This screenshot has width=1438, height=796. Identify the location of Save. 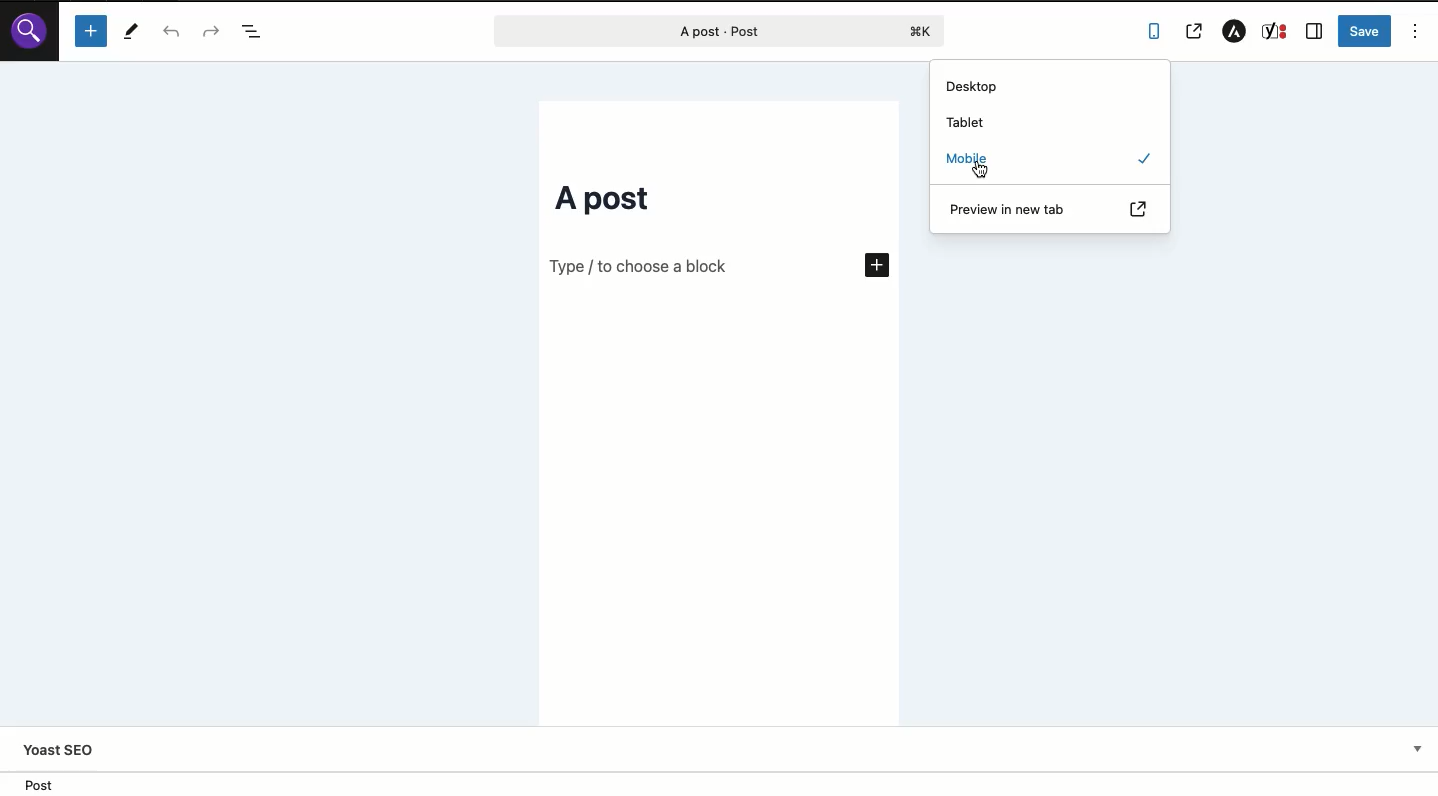
(1365, 29).